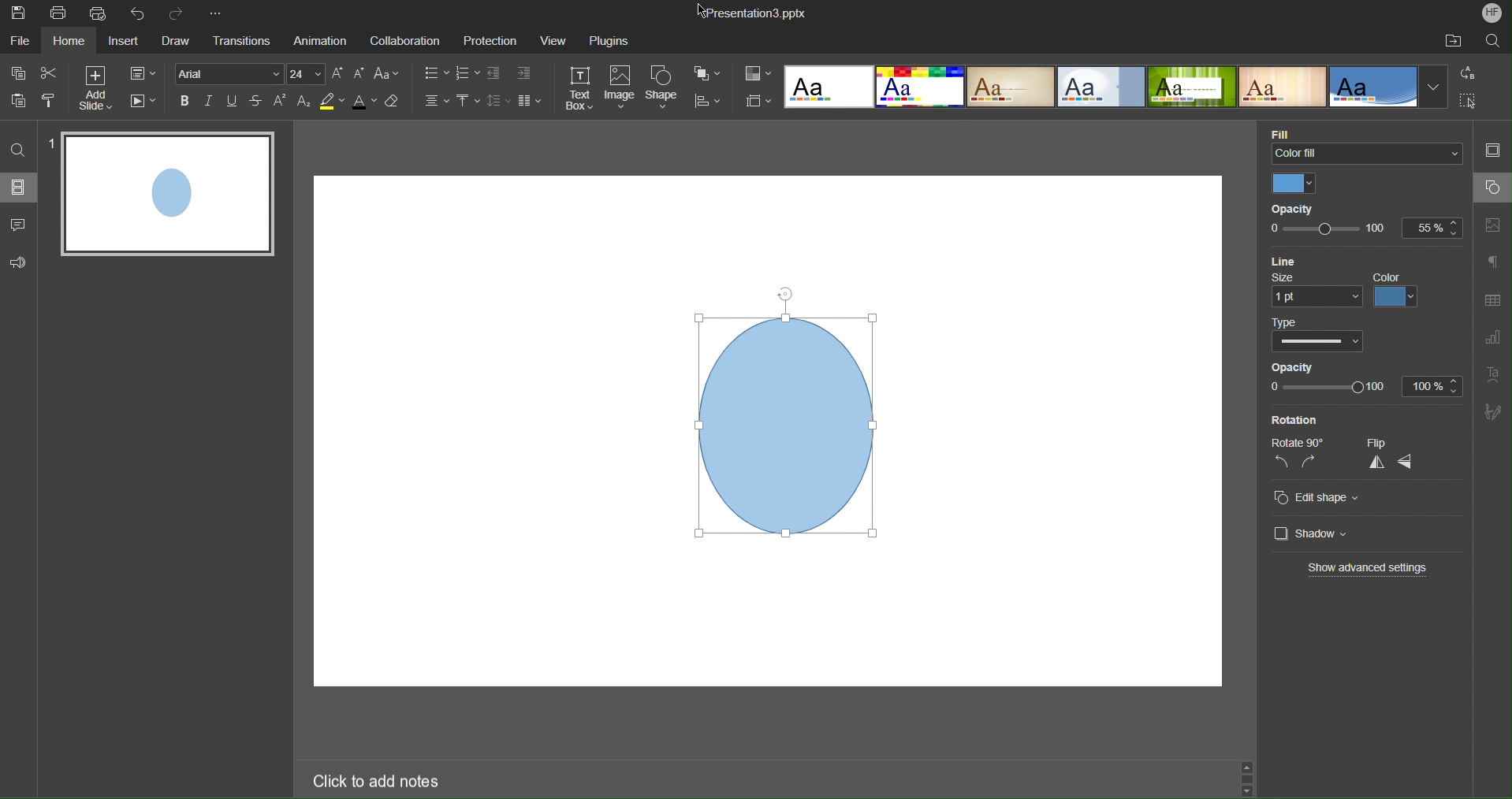  What do you see at coordinates (1398, 292) in the screenshot?
I see `Color` at bounding box center [1398, 292].